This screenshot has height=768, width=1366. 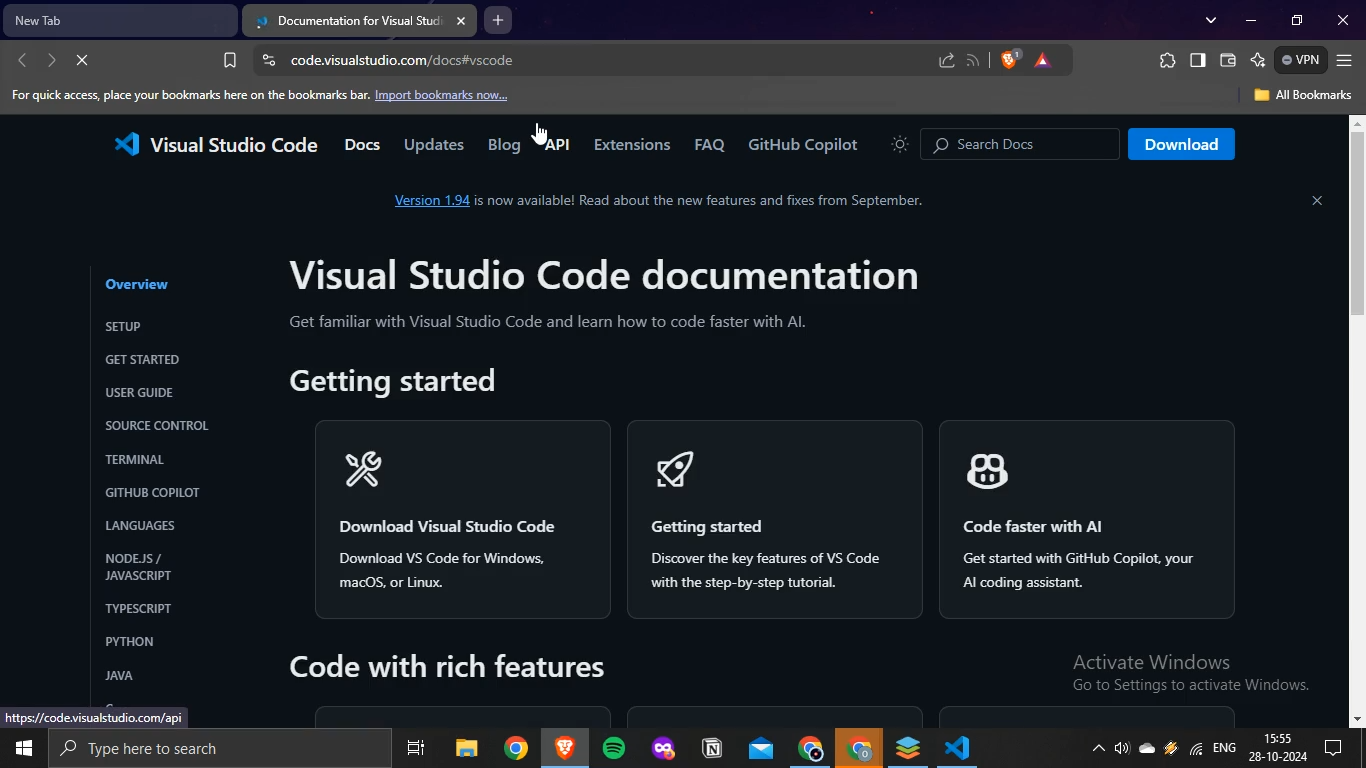 What do you see at coordinates (191, 94) in the screenshot?
I see `For quick access, place your bookmarks here on the bookmarks bar.` at bounding box center [191, 94].